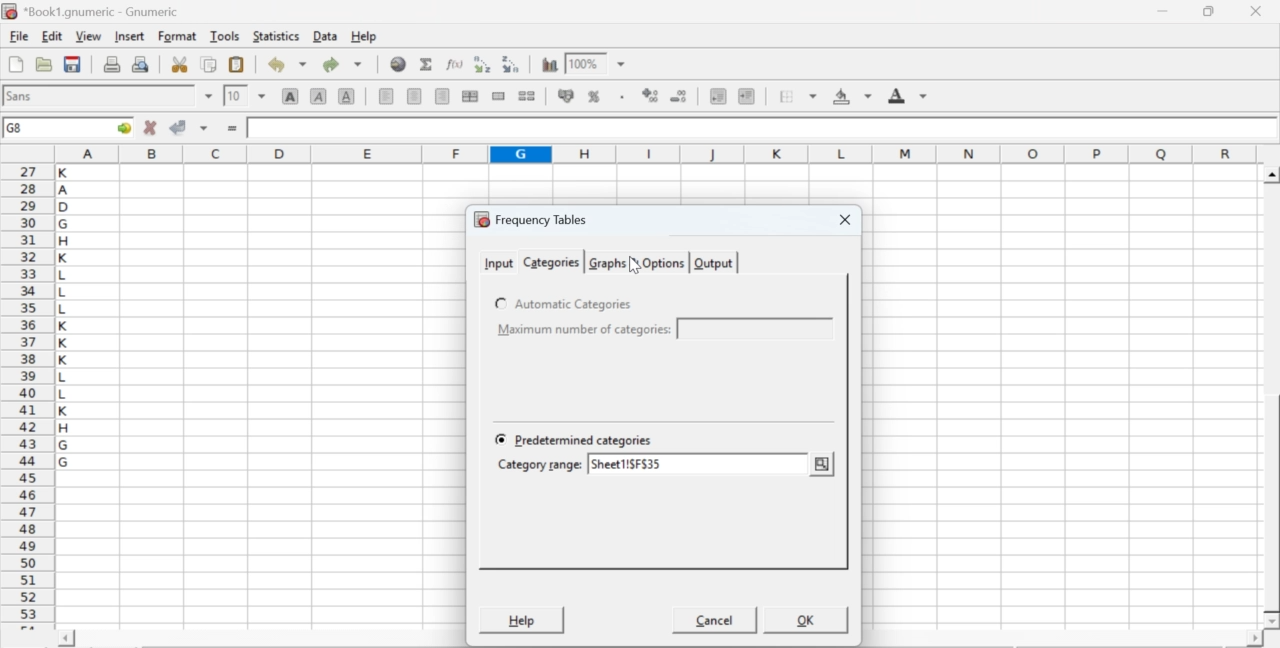  I want to click on restore down, so click(1210, 12).